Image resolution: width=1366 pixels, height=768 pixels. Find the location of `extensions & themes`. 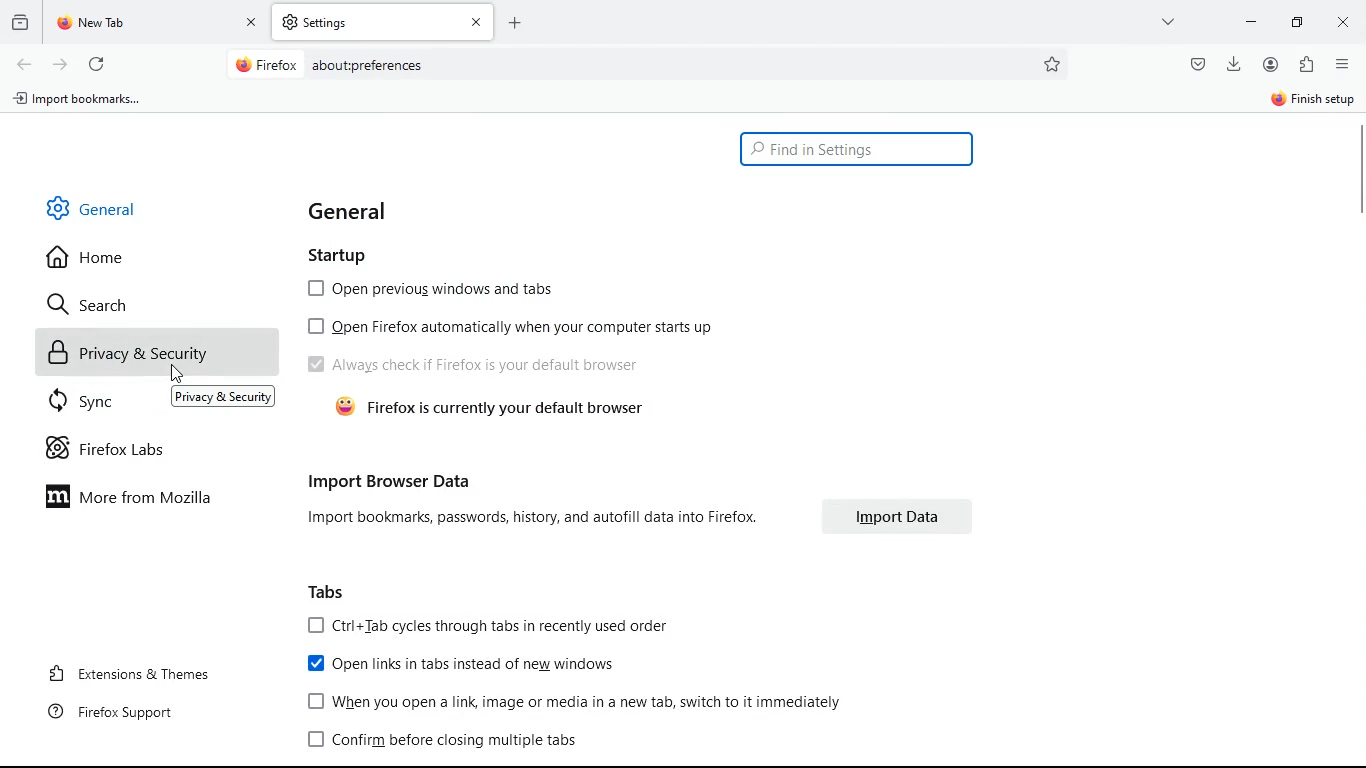

extensions & themes is located at coordinates (147, 670).